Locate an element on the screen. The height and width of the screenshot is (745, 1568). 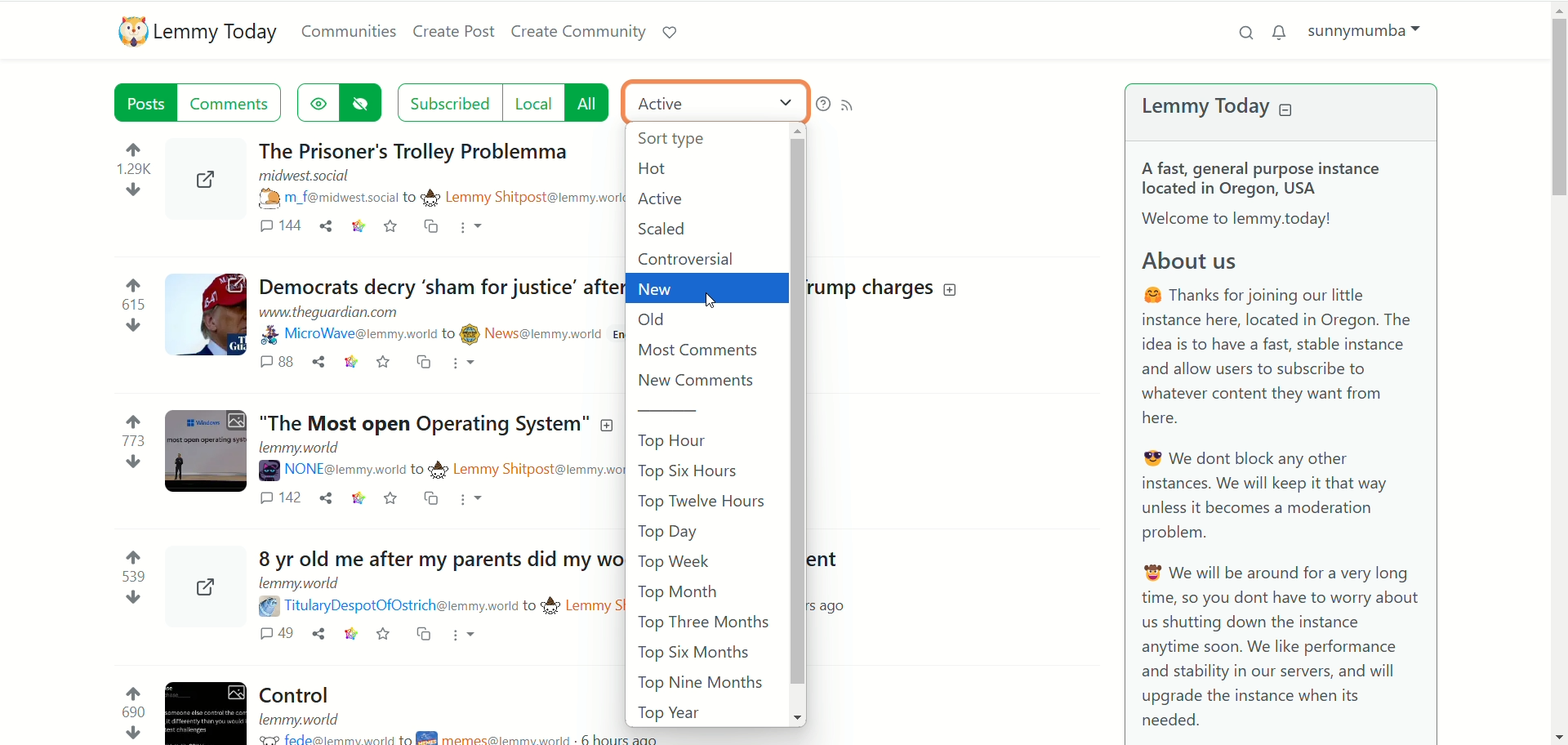
Pointer is located at coordinates (728, 301).